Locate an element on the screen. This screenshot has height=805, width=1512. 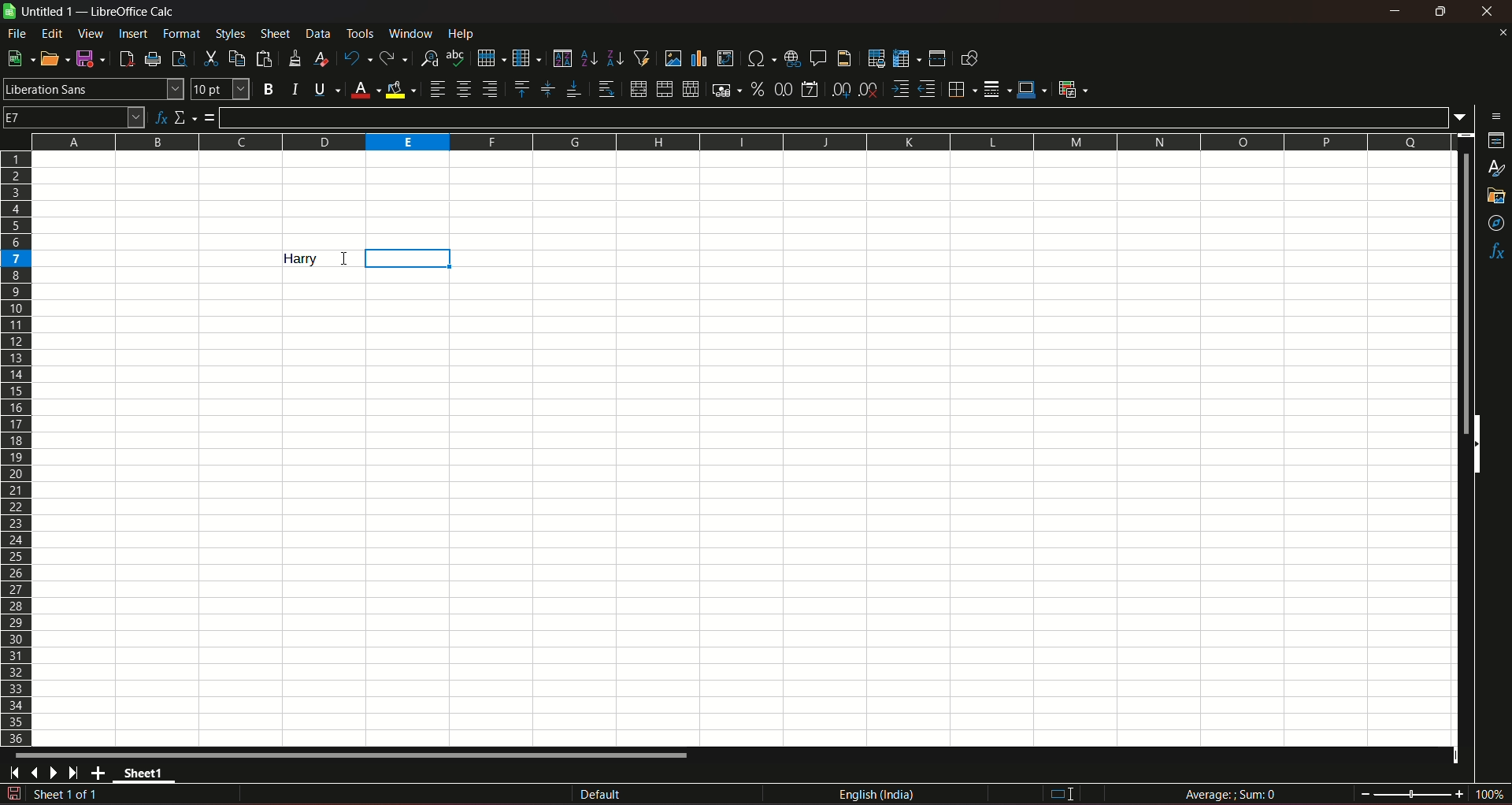
name box is located at coordinates (74, 116).